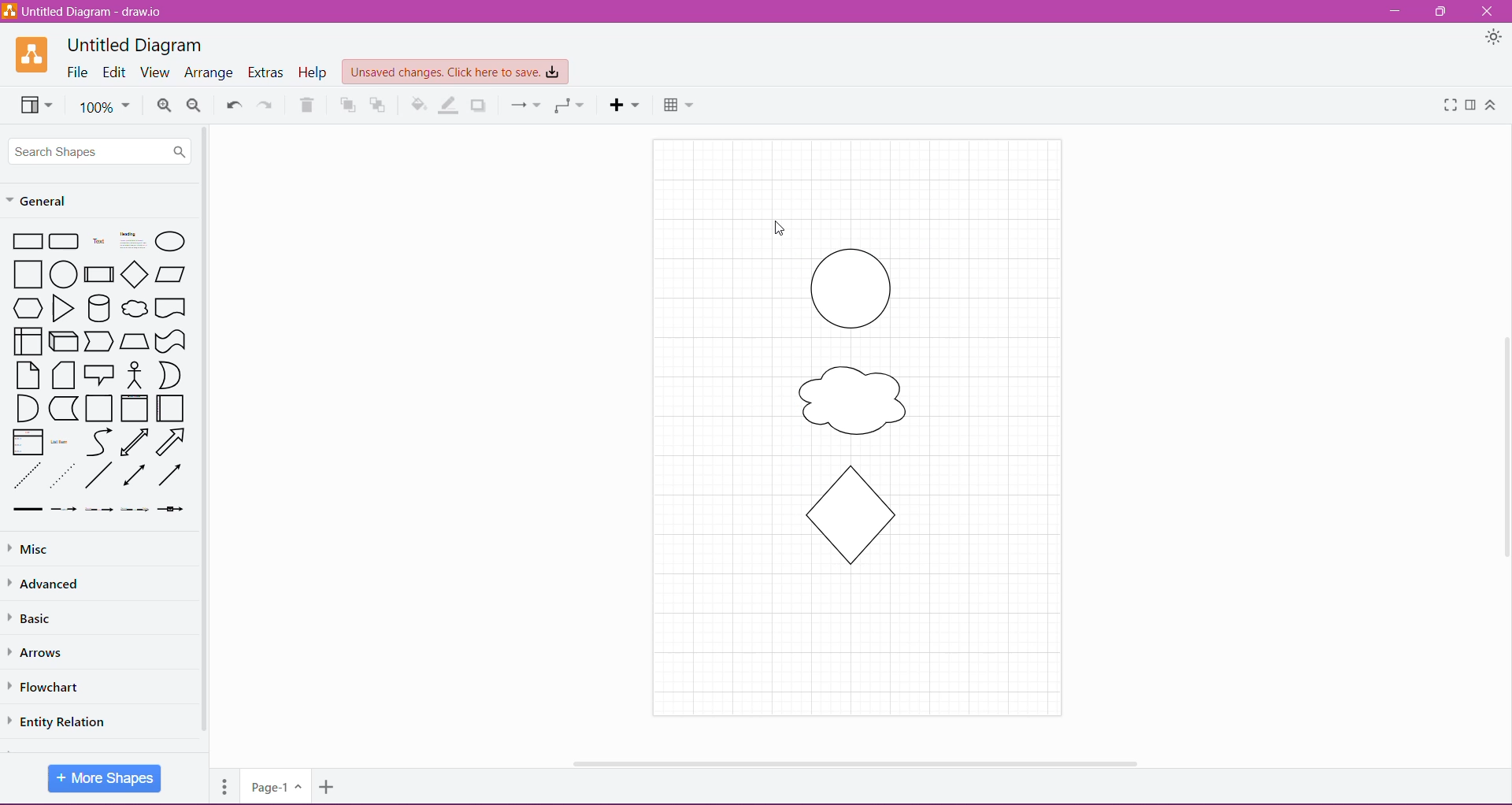 The image size is (1512, 805). Describe the element at coordinates (419, 105) in the screenshot. I see `Fill Color` at that location.